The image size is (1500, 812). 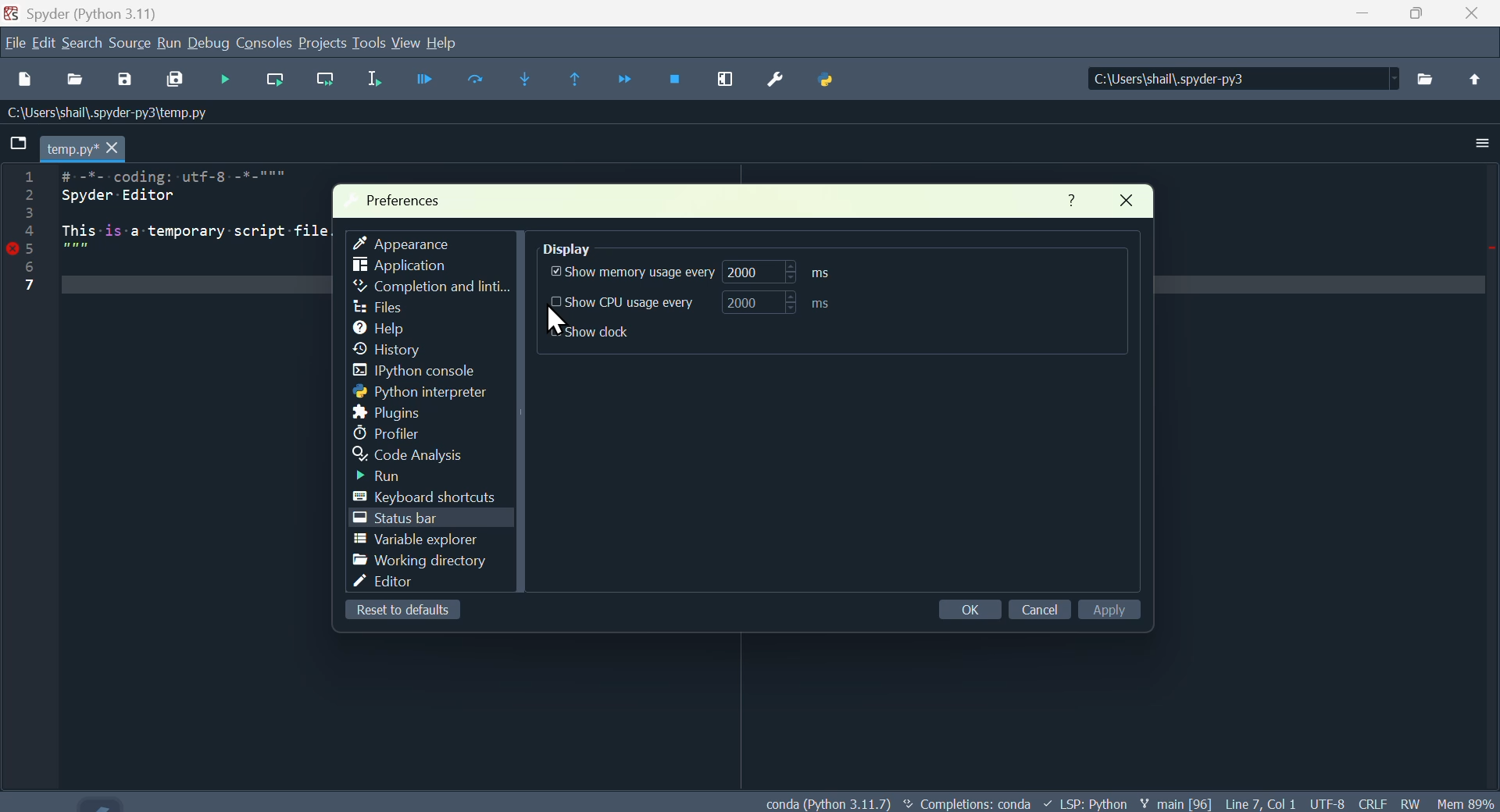 I want to click on Run, so click(x=397, y=478).